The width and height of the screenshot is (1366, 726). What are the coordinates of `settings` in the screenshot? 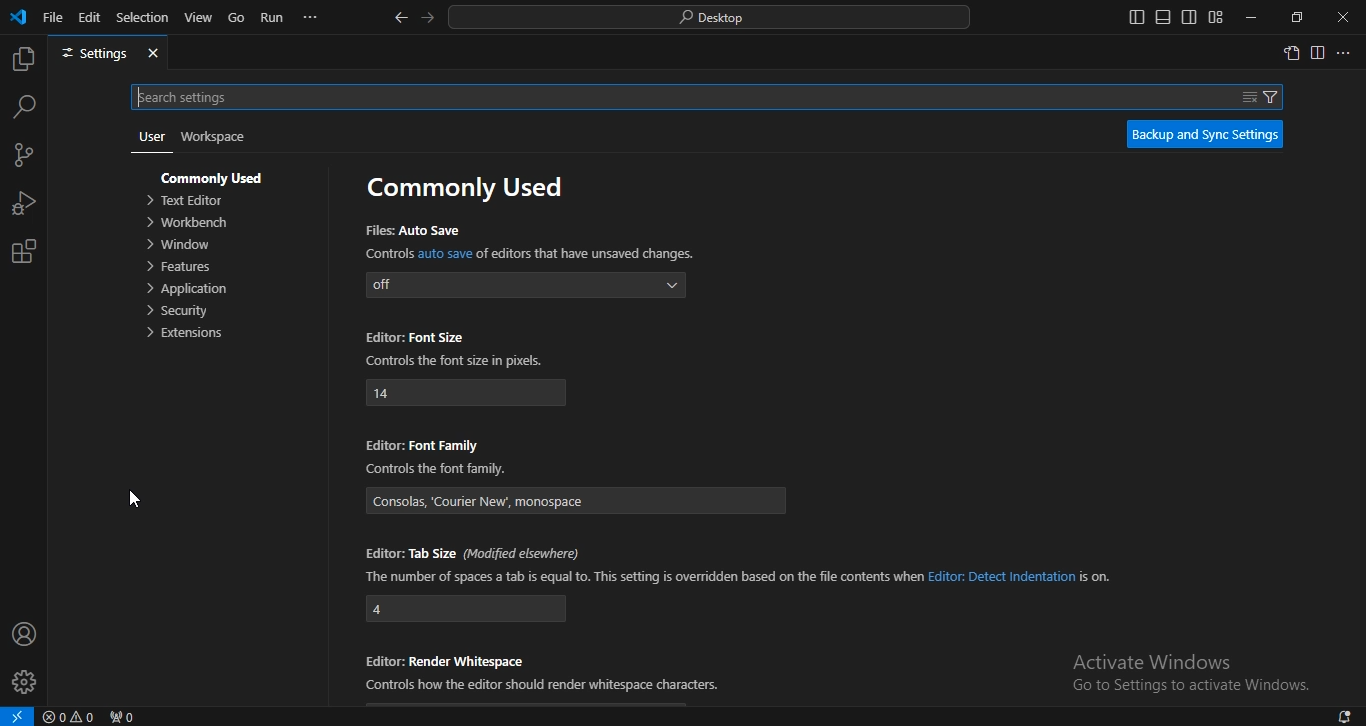 It's located at (91, 54).